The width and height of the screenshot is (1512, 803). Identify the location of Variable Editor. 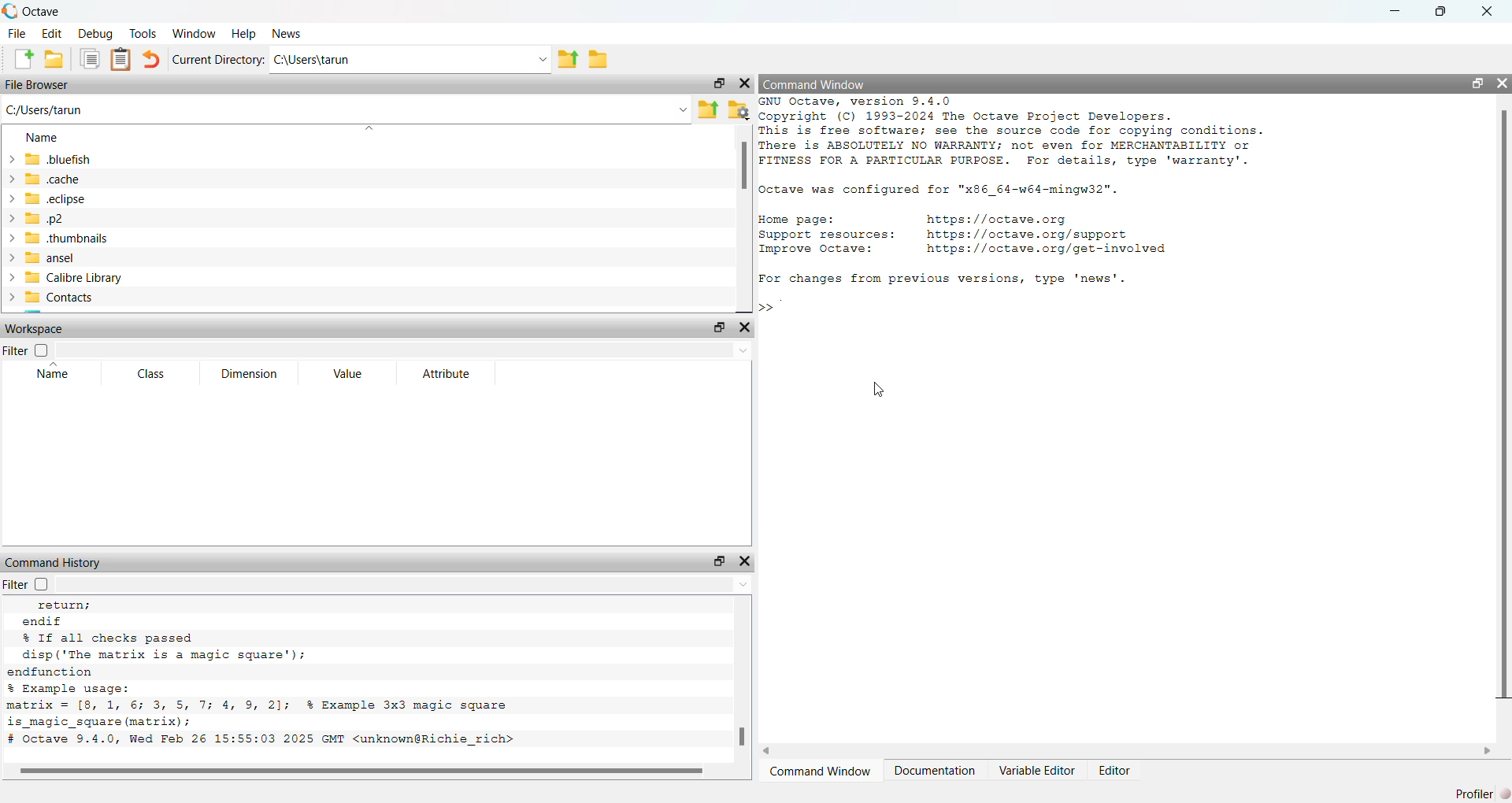
(1036, 771).